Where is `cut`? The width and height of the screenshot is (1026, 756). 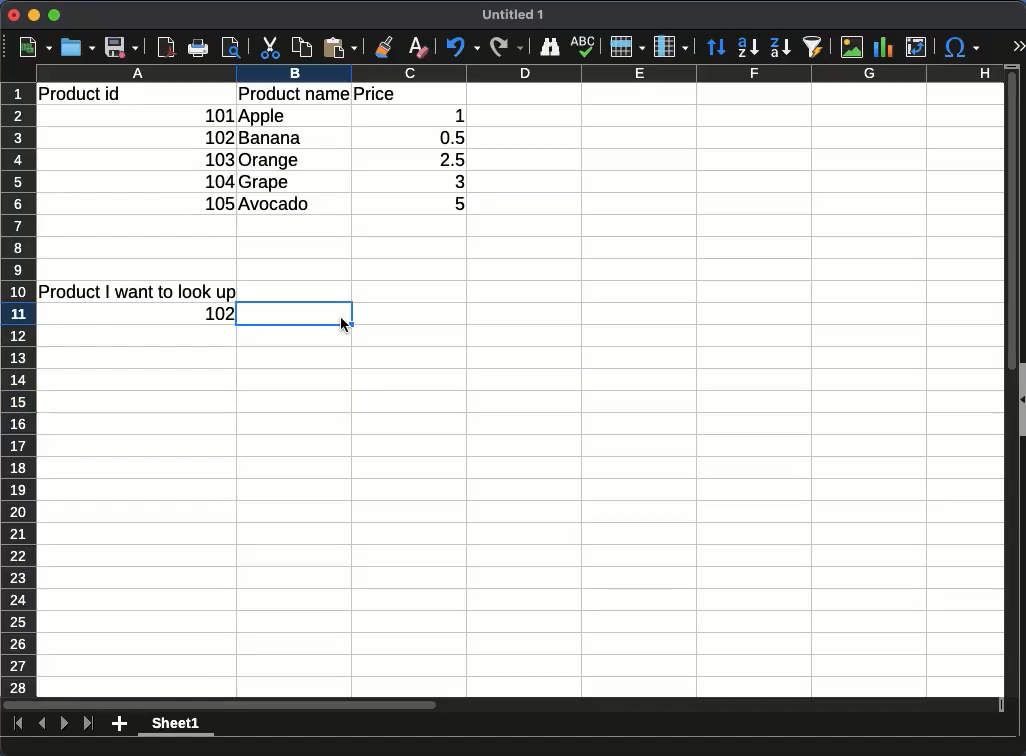 cut is located at coordinates (270, 47).